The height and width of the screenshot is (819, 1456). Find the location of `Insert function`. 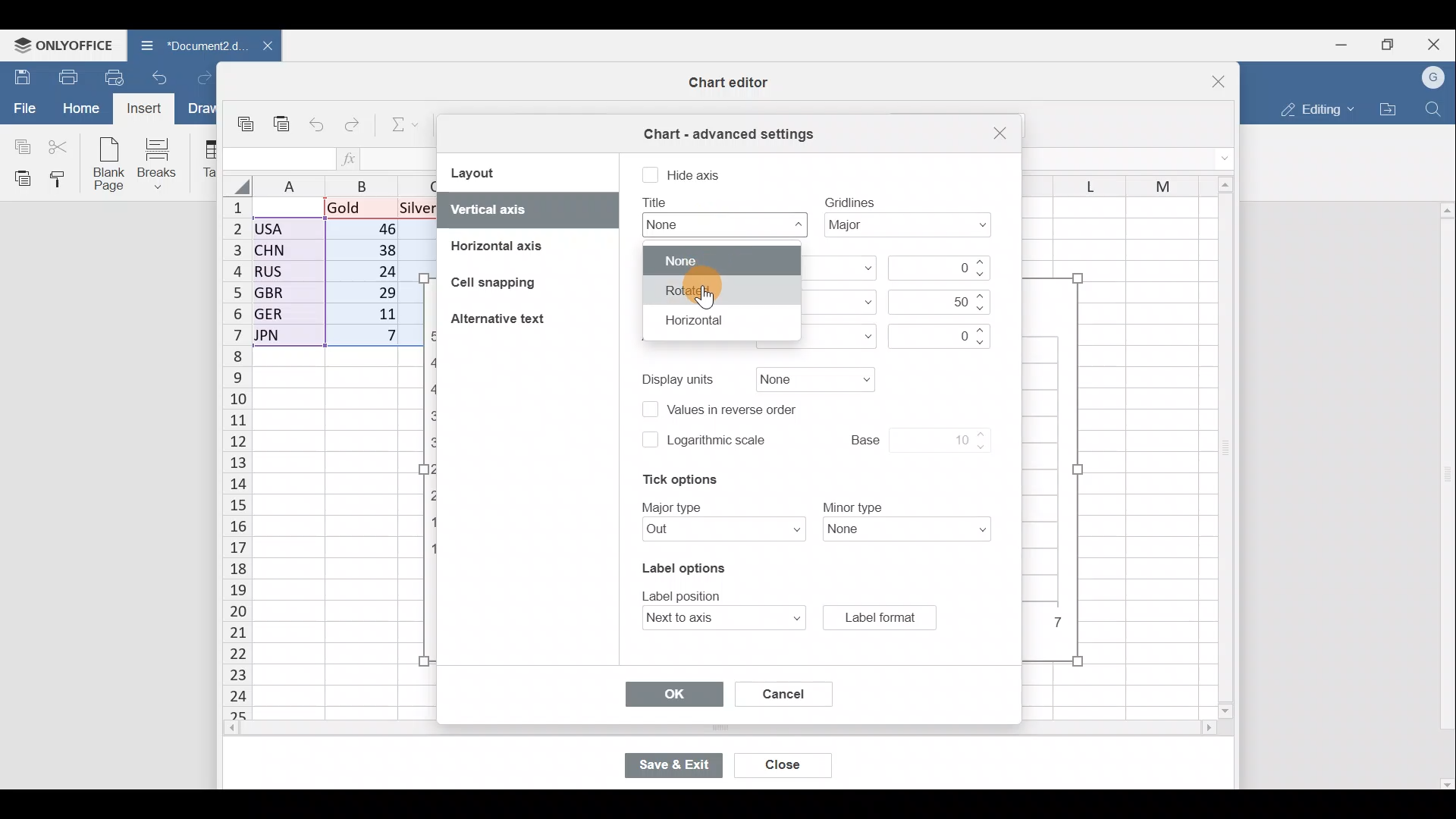

Insert function is located at coordinates (350, 158).